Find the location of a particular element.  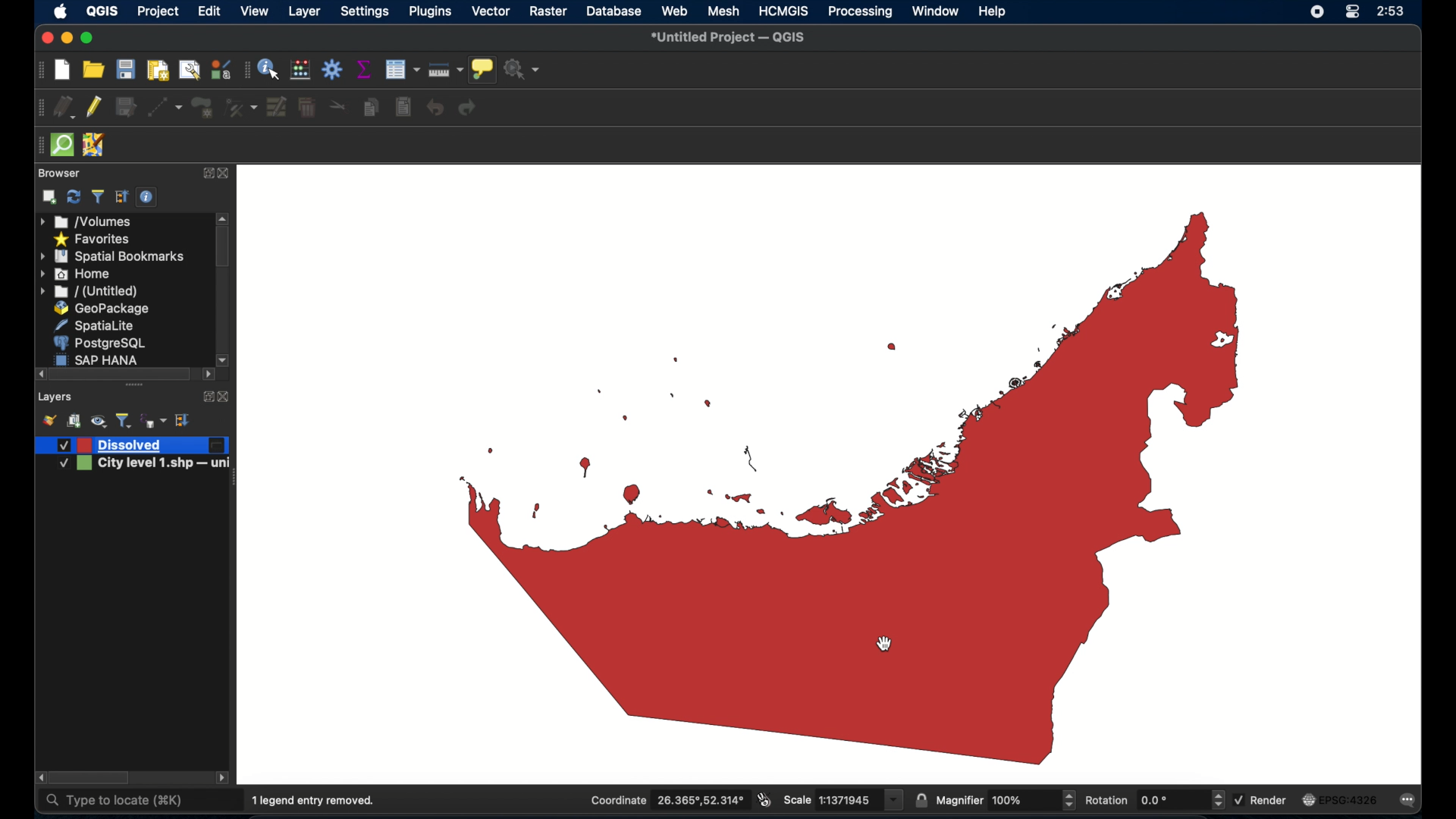

no action selected is located at coordinates (526, 71).